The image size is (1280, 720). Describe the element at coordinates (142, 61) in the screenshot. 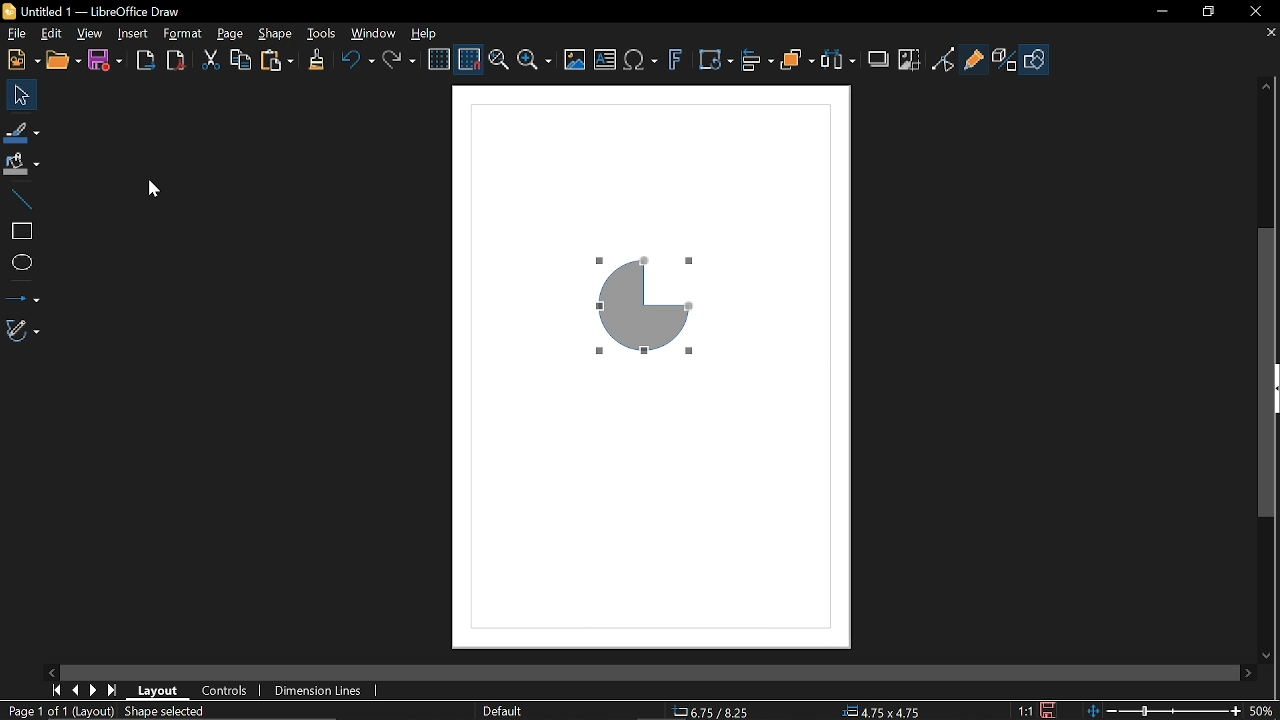

I see `Export` at that location.